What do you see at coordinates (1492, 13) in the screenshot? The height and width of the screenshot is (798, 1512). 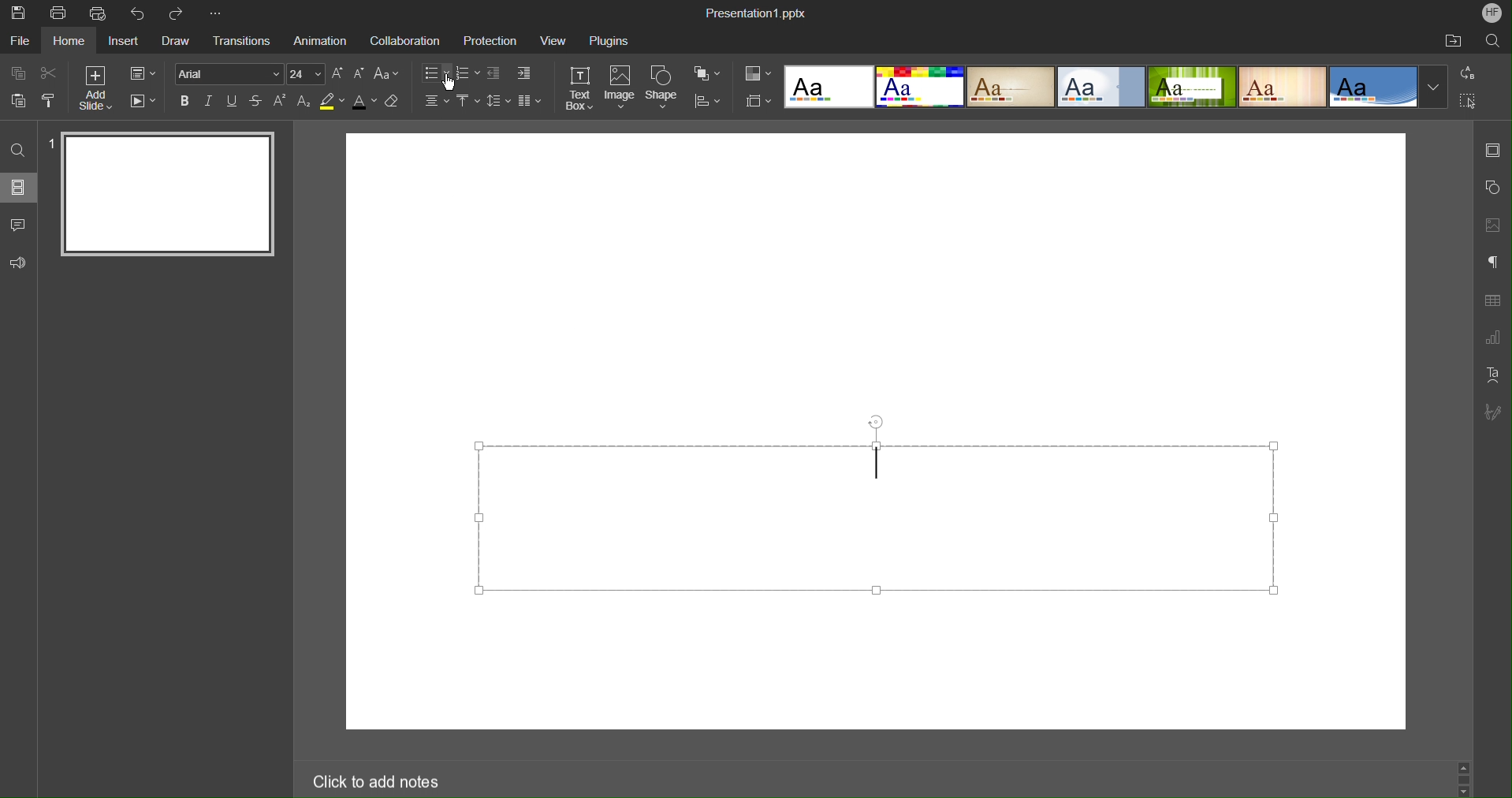 I see `Account` at bounding box center [1492, 13].